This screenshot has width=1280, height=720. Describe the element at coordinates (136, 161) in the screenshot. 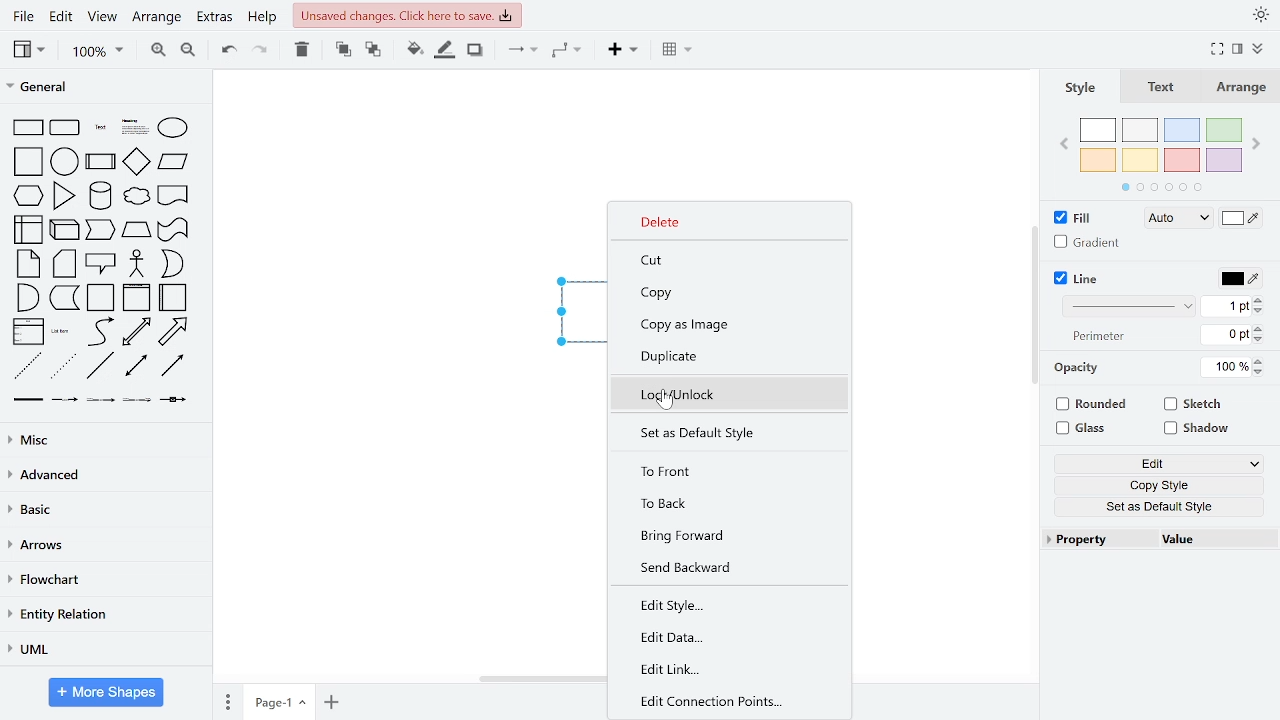

I see `diamond` at that location.